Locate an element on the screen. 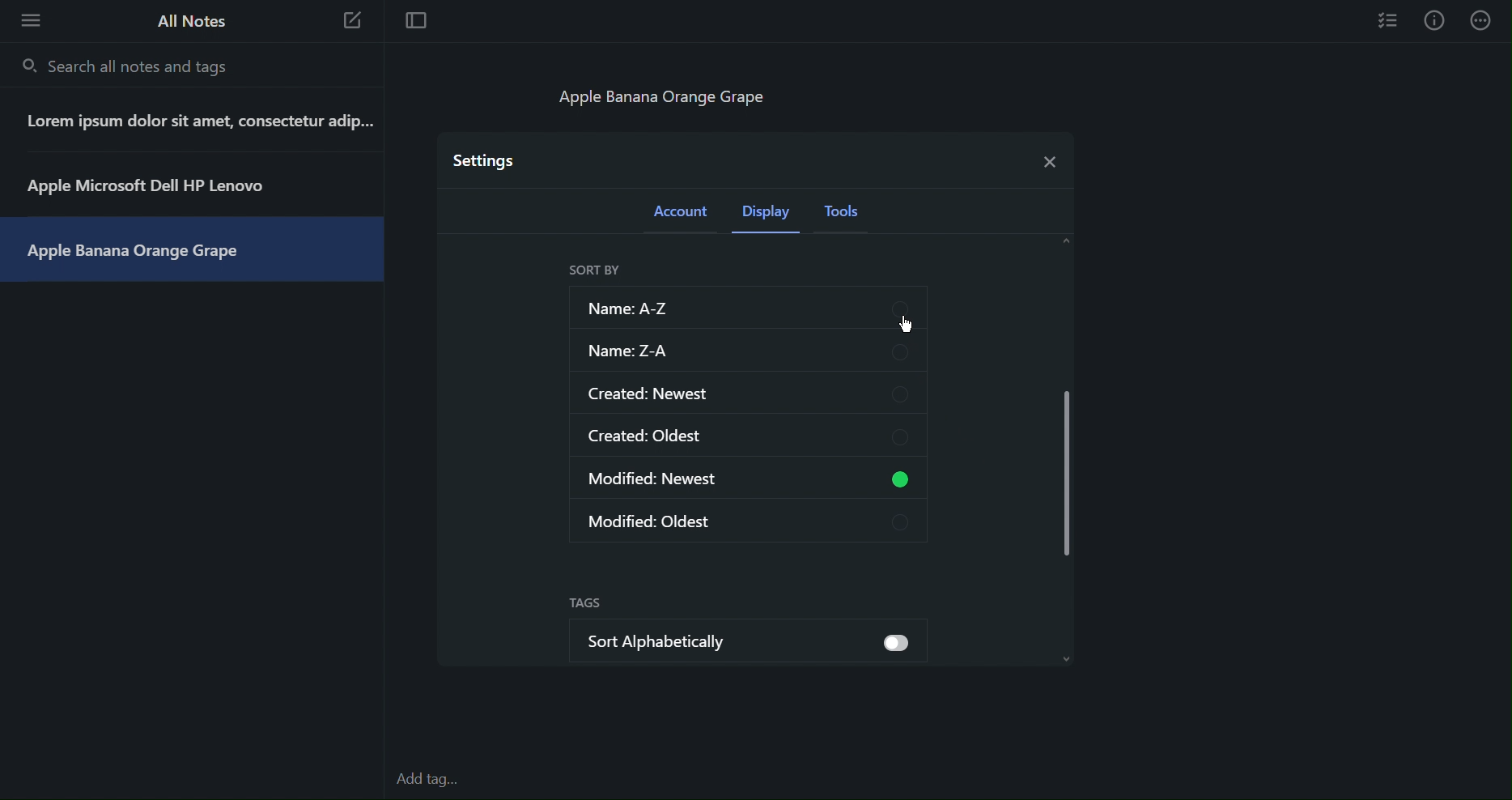  Tags is located at coordinates (585, 604).